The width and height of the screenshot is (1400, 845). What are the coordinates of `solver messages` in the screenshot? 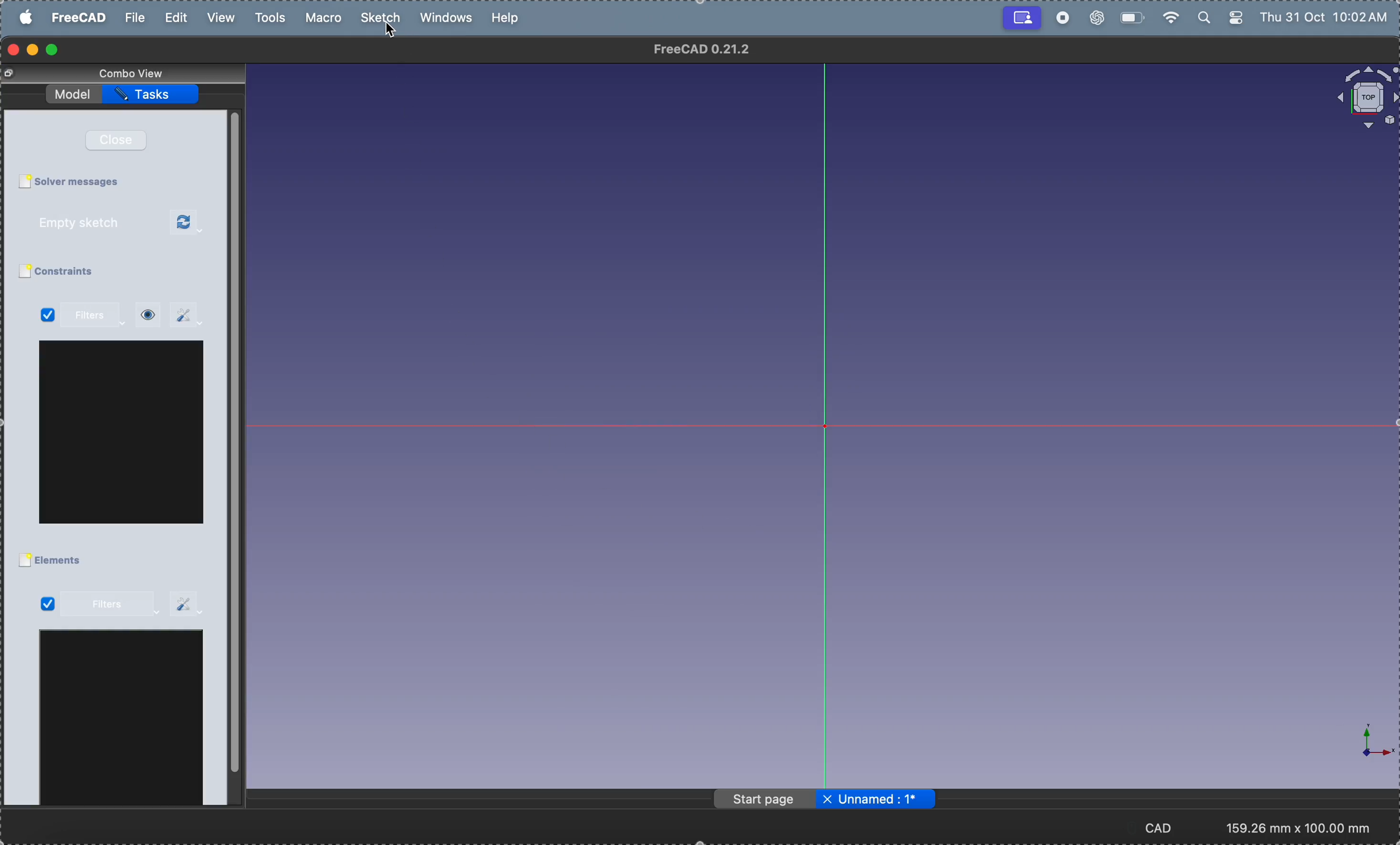 It's located at (82, 182).